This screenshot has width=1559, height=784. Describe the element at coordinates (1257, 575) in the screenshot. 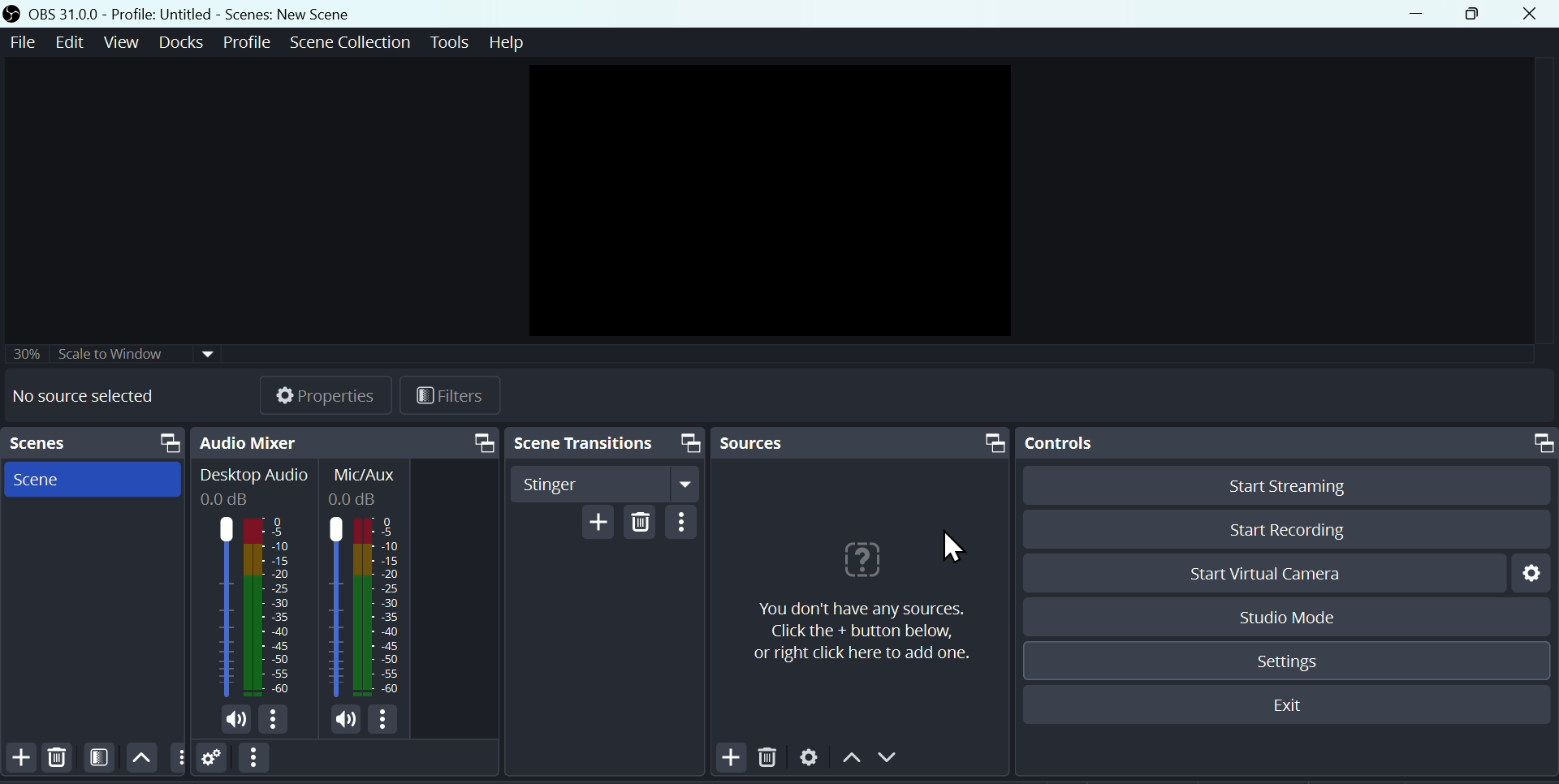

I see `Start Virtual Camera` at that location.